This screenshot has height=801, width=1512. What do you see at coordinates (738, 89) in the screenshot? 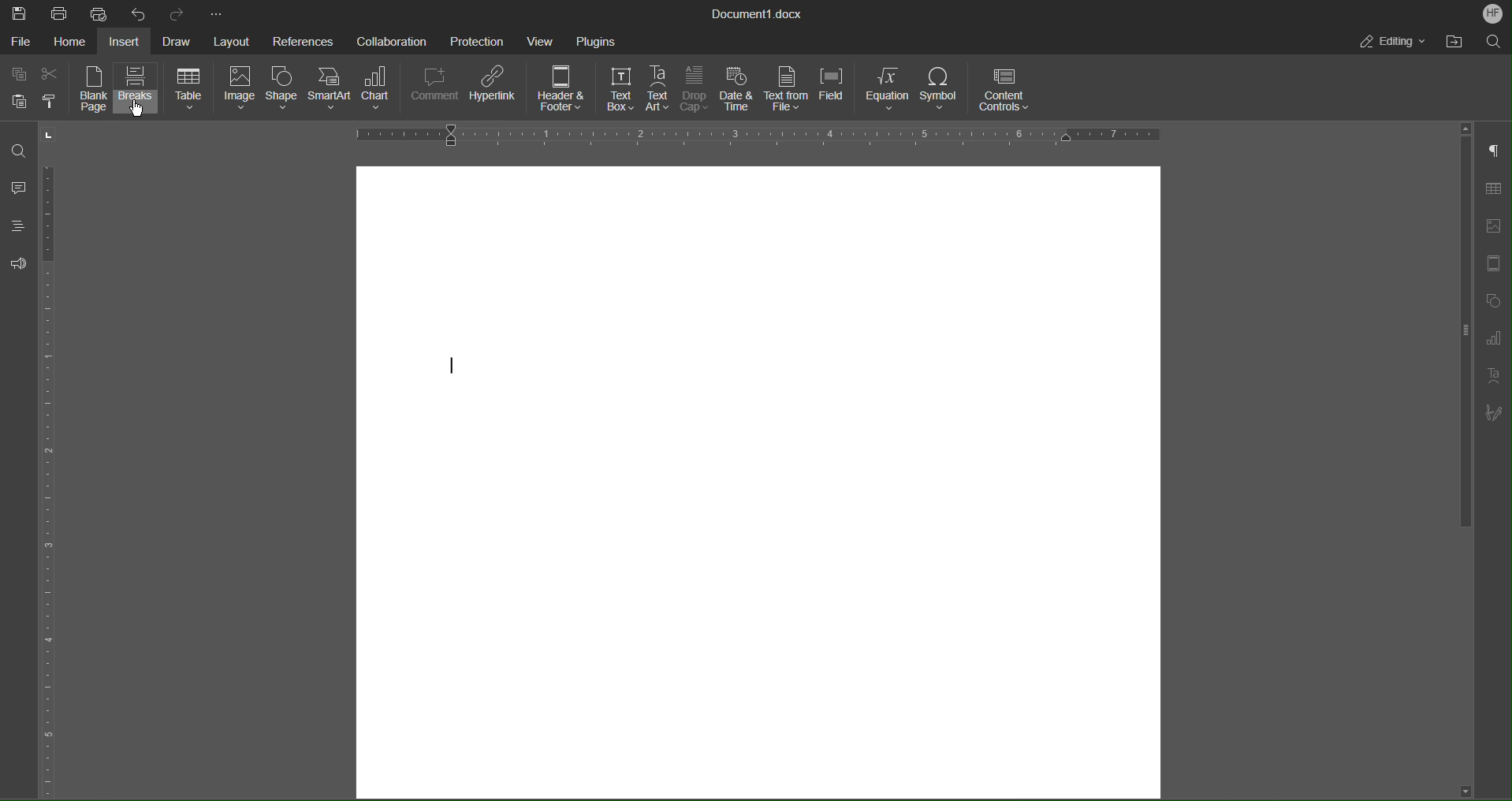
I see `Date and Time` at bounding box center [738, 89].